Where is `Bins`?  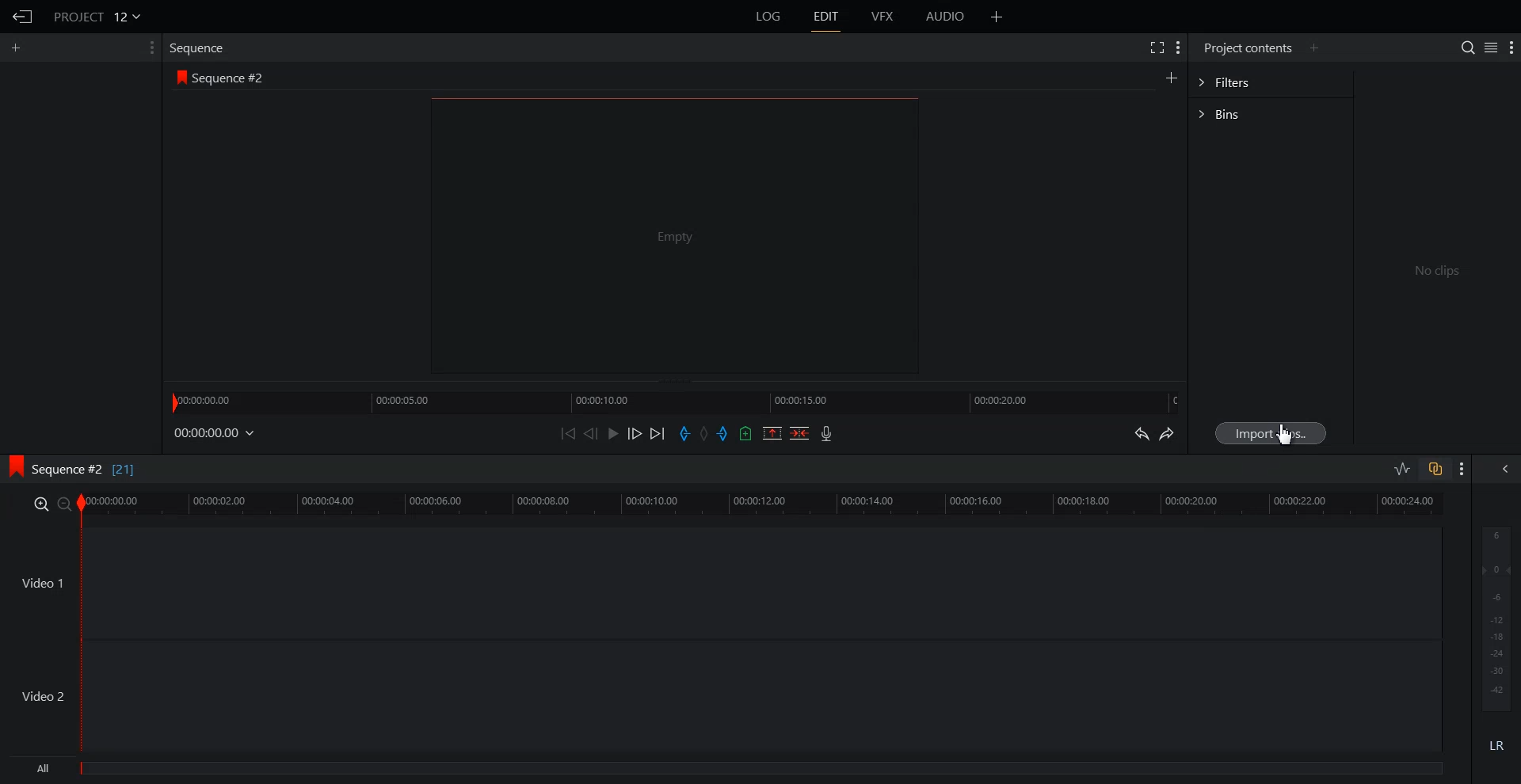 Bins is located at coordinates (1271, 112).